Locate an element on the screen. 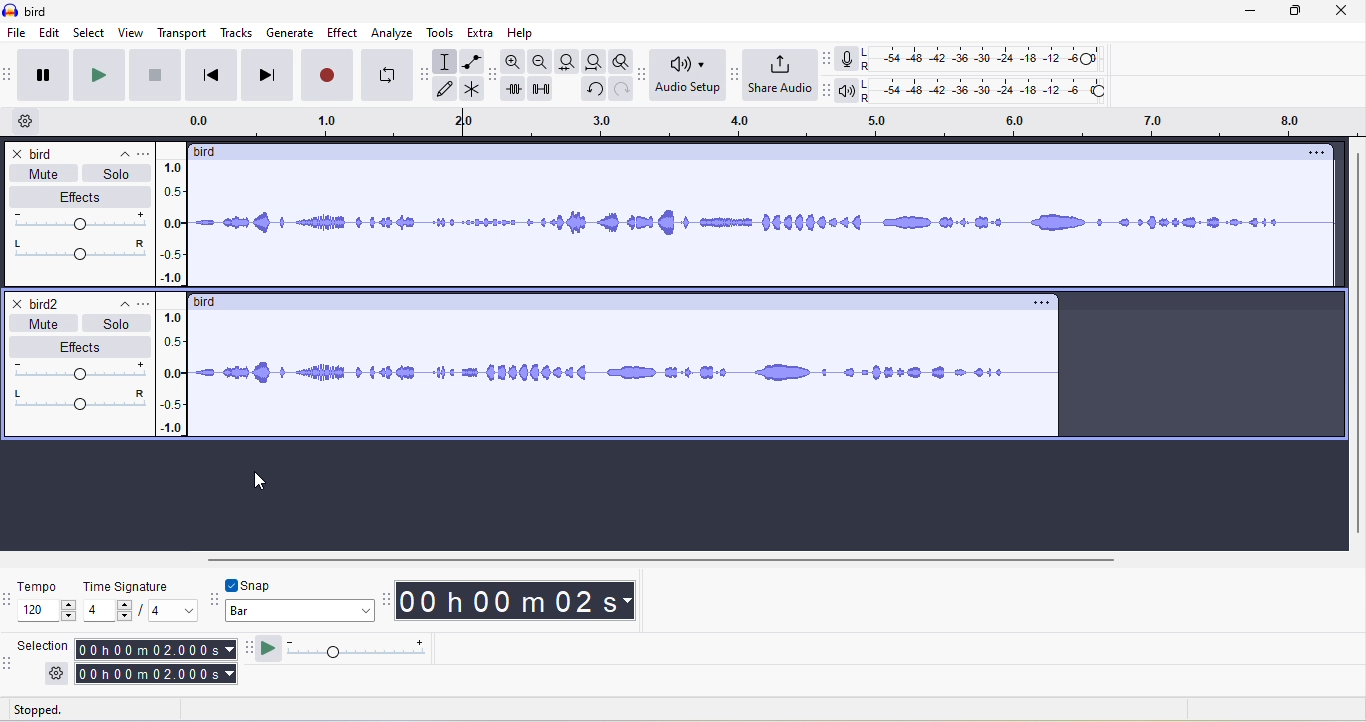 The width and height of the screenshot is (1366, 722). view is located at coordinates (130, 34).